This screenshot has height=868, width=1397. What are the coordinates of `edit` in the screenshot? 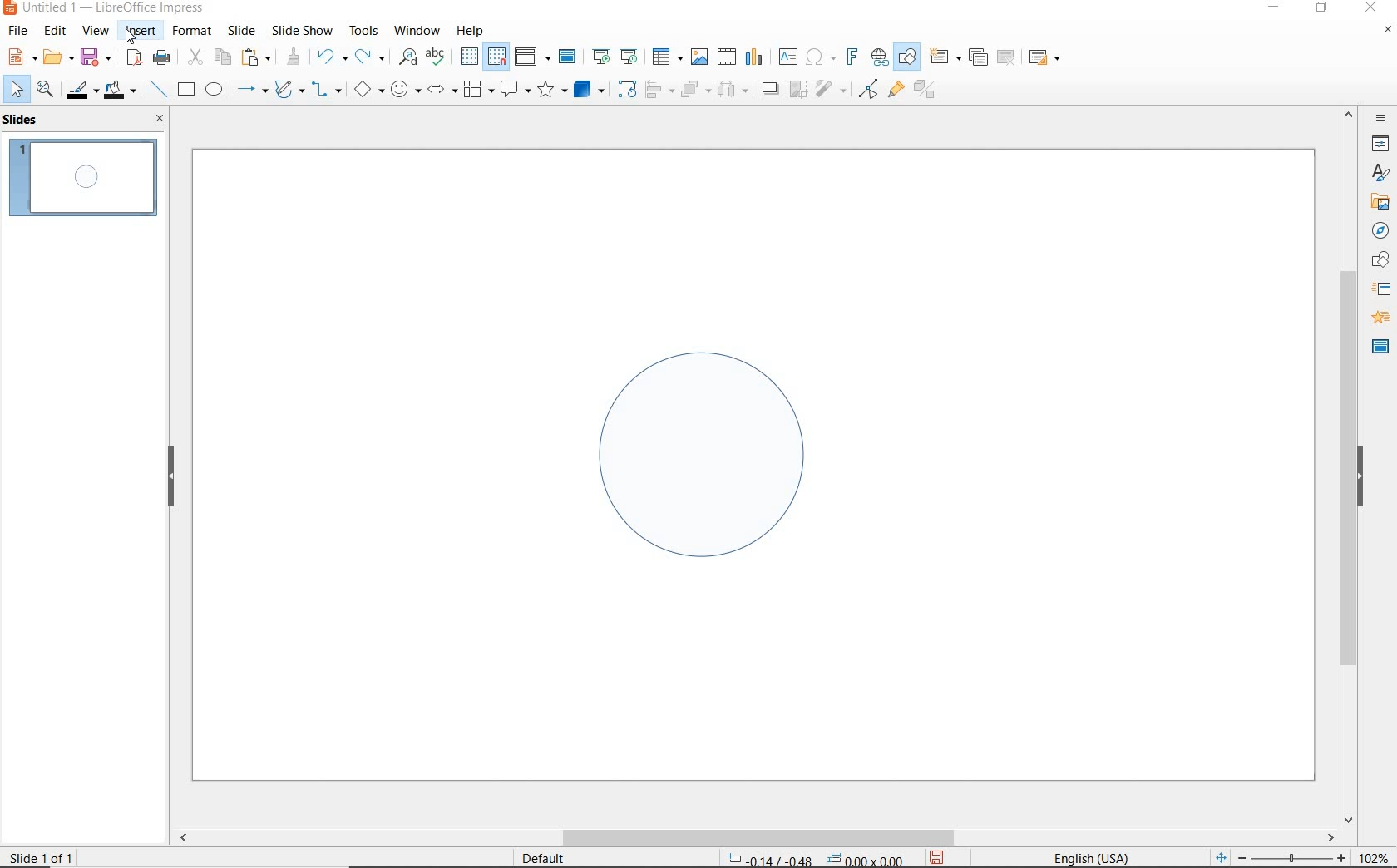 It's located at (56, 31).